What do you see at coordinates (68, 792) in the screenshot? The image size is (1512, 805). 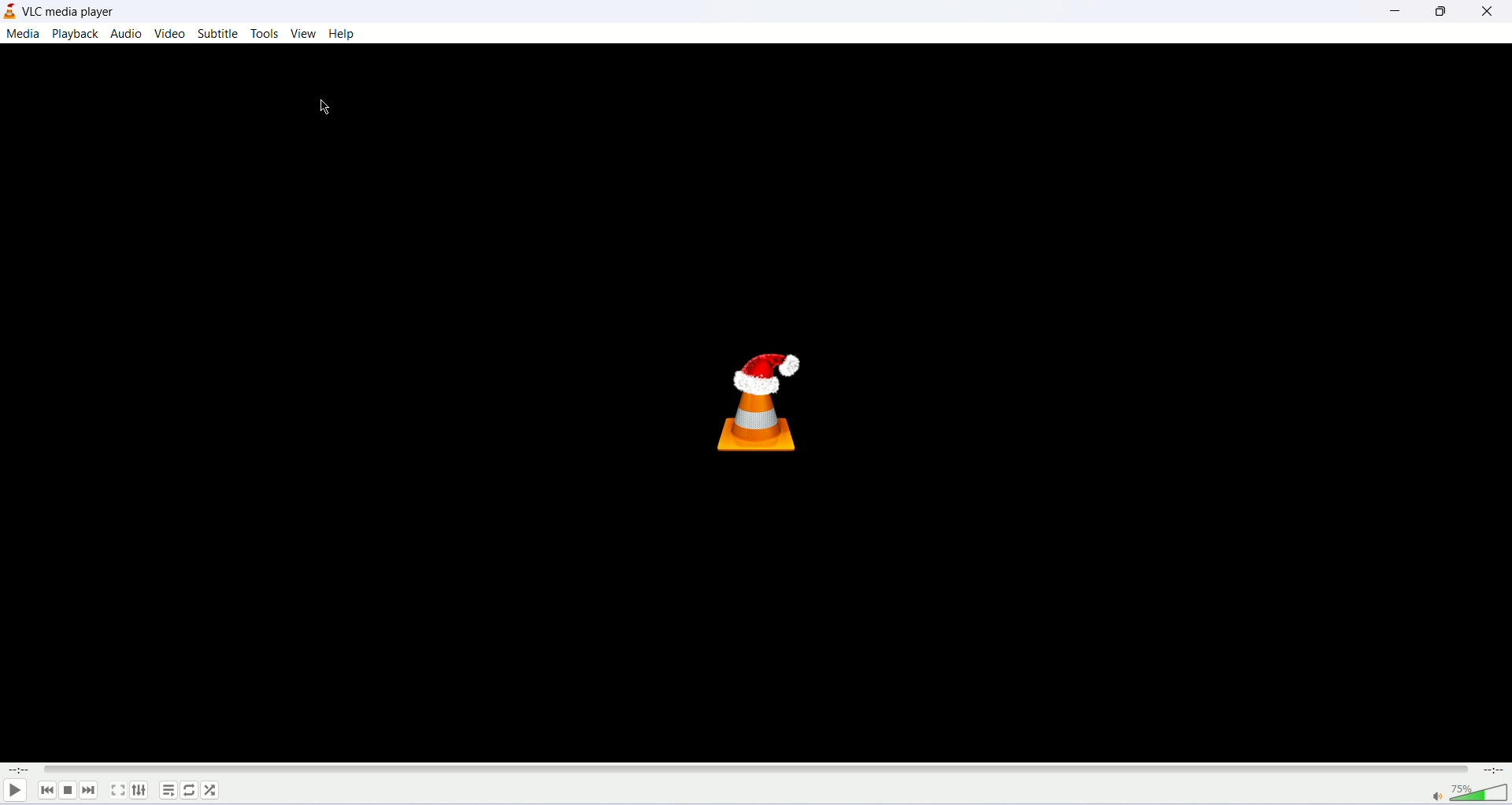 I see `stop` at bounding box center [68, 792].